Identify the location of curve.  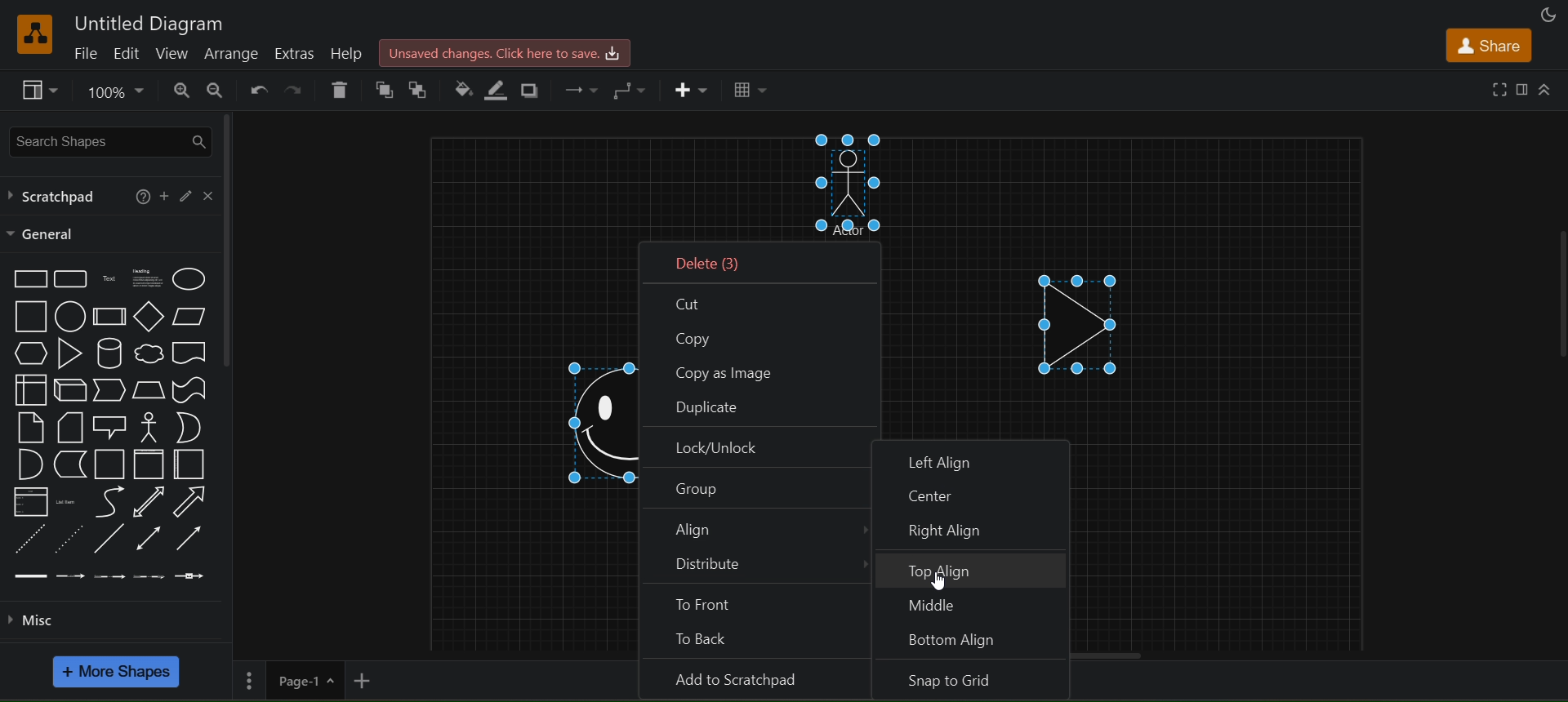
(109, 501).